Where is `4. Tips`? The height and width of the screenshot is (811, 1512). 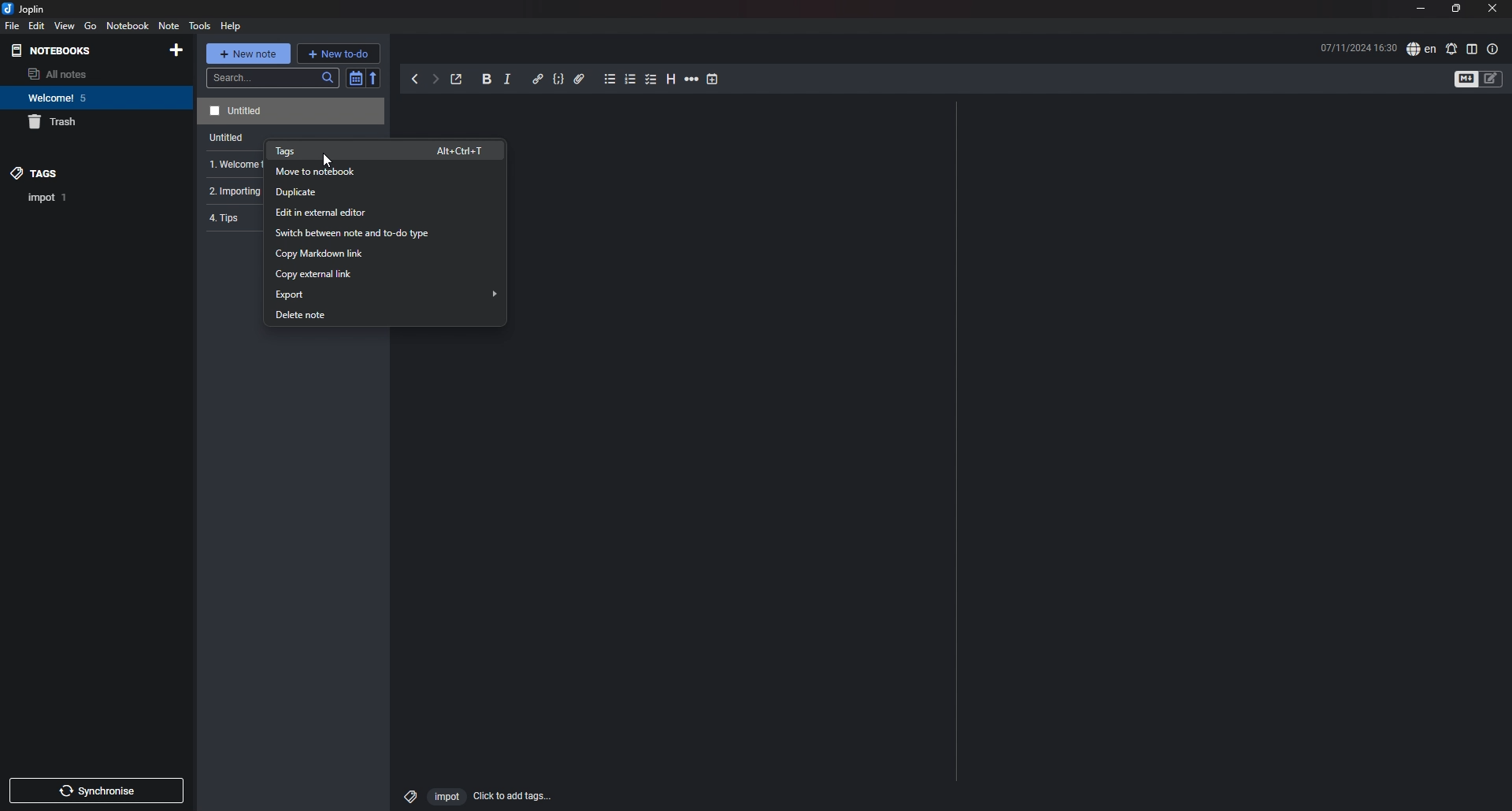
4. Tips is located at coordinates (232, 220).